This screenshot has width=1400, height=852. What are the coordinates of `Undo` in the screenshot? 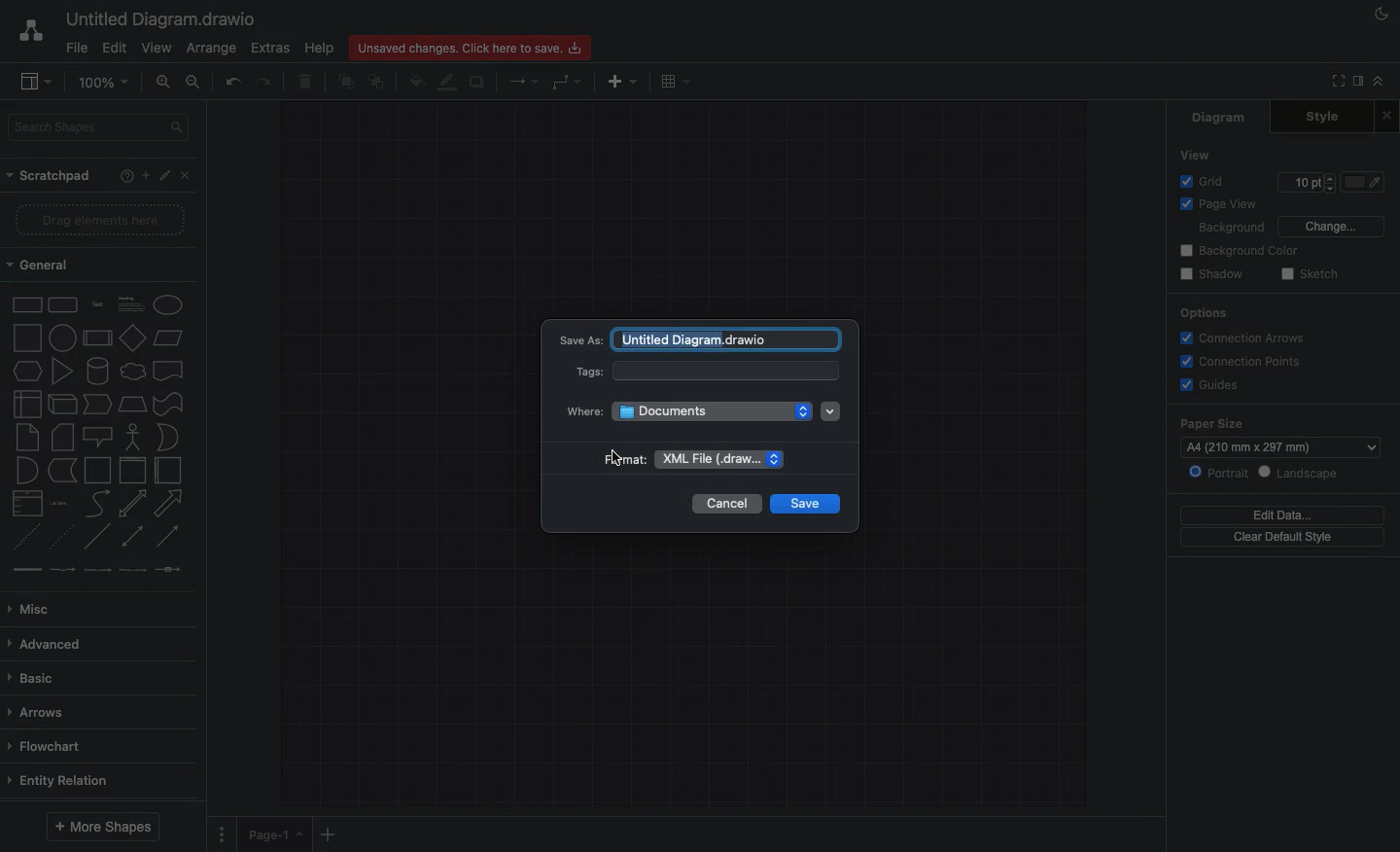 It's located at (231, 82).